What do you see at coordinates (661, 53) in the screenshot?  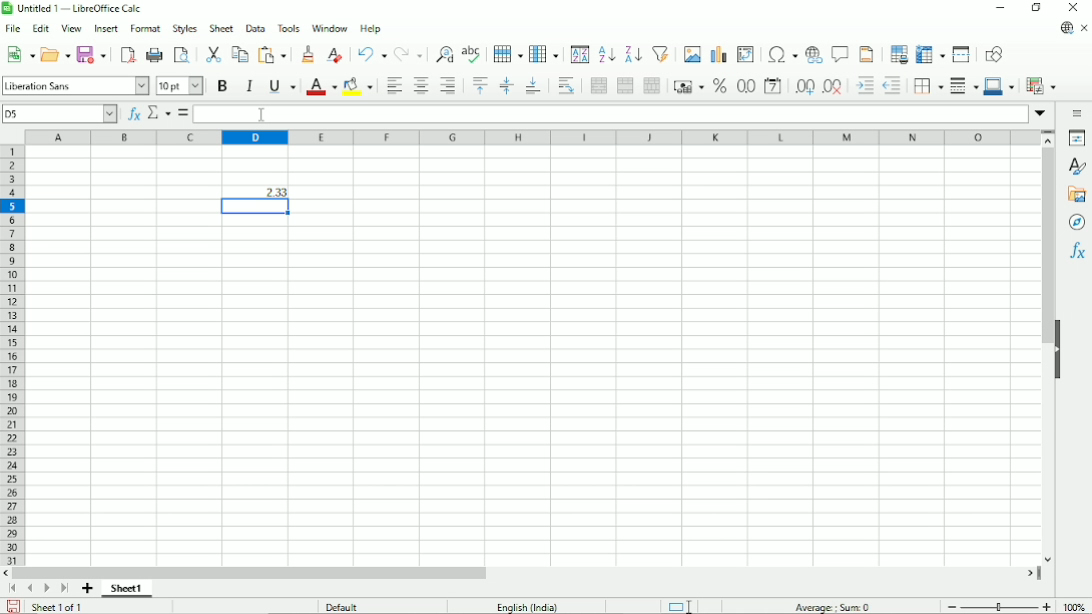 I see `Autofilter` at bounding box center [661, 53].